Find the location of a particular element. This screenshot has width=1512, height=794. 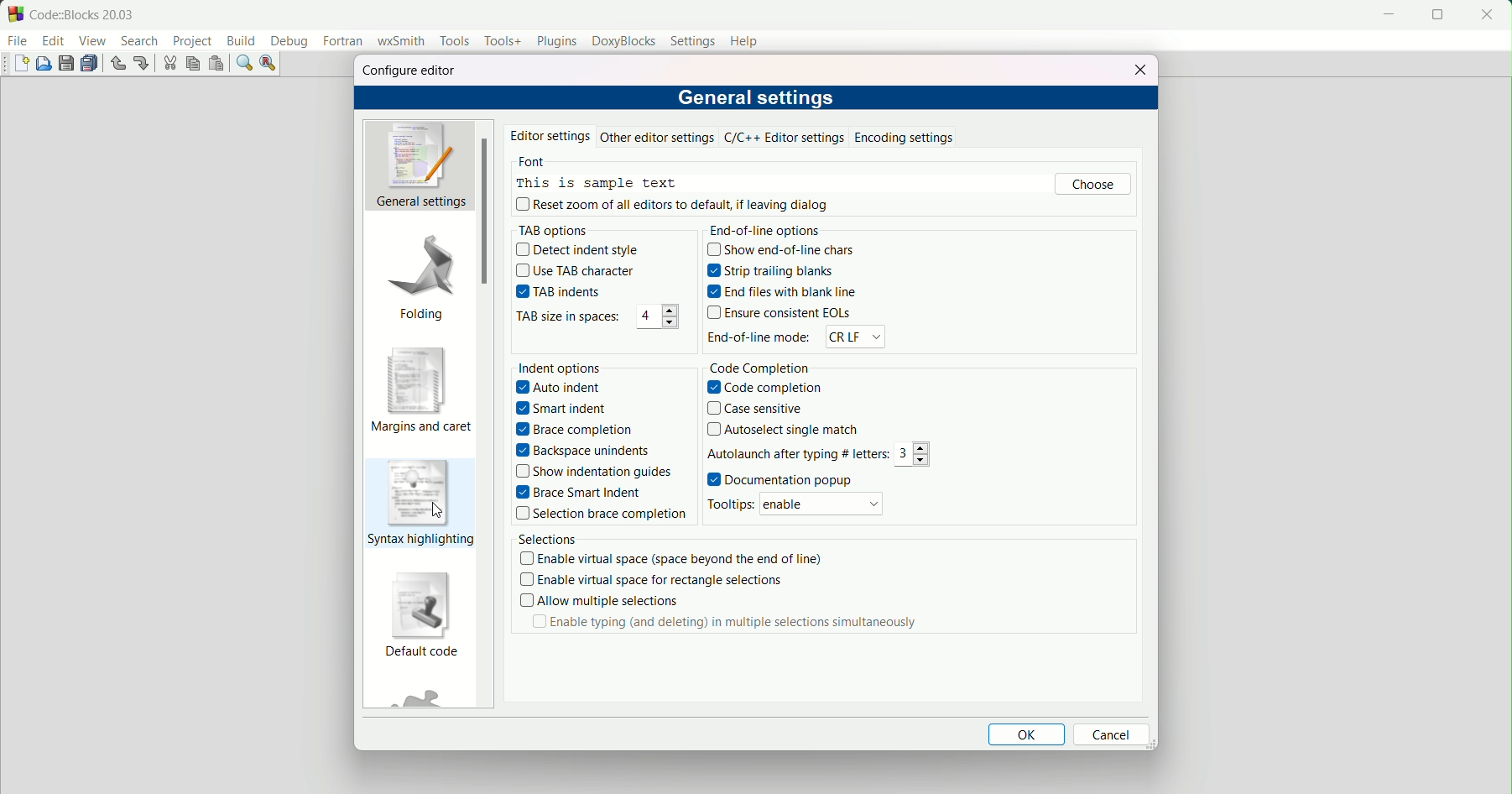

enable typing is located at coordinates (725, 624).